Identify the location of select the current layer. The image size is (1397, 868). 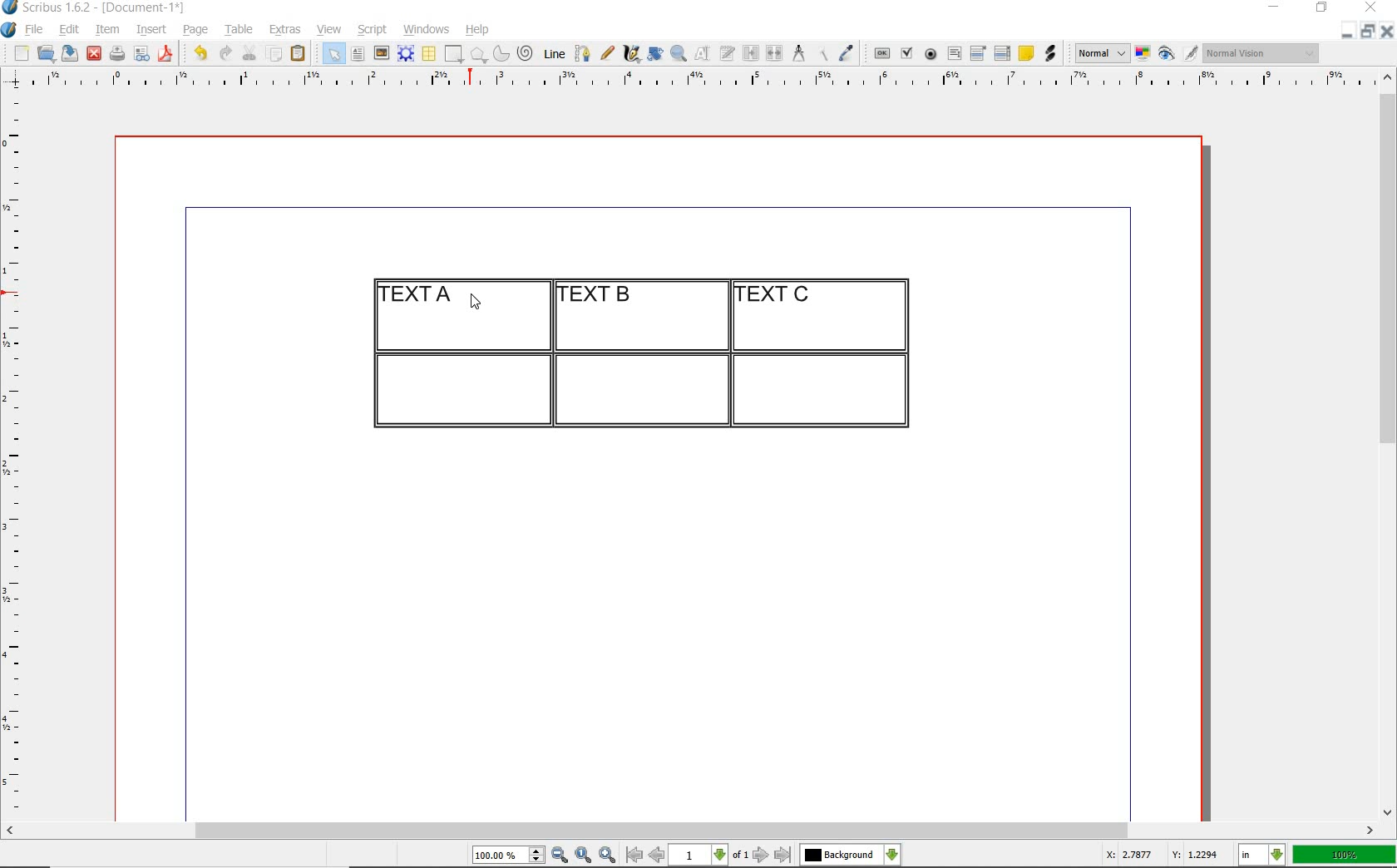
(851, 856).